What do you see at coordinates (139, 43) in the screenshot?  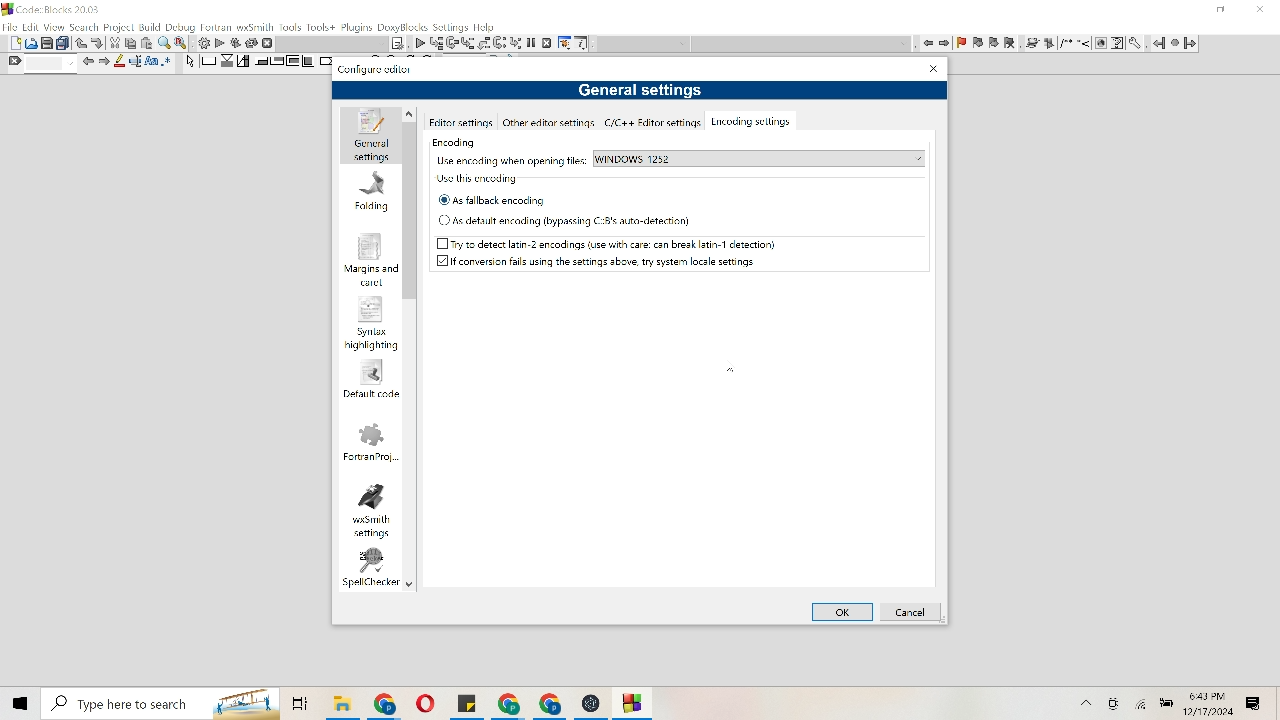 I see `Cut` at bounding box center [139, 43].